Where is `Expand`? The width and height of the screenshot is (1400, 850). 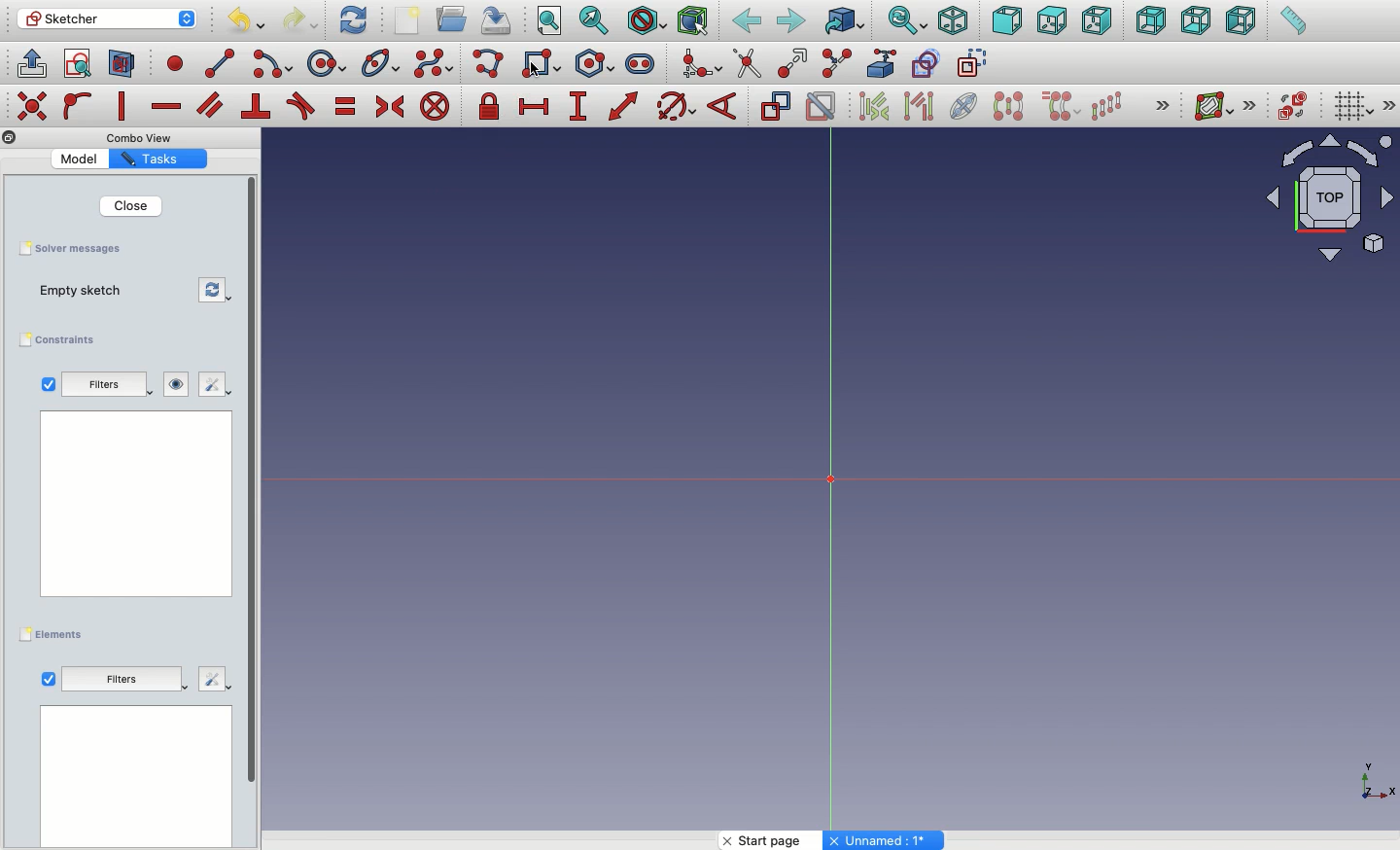
Expand is located at coordinates (1390, 105).